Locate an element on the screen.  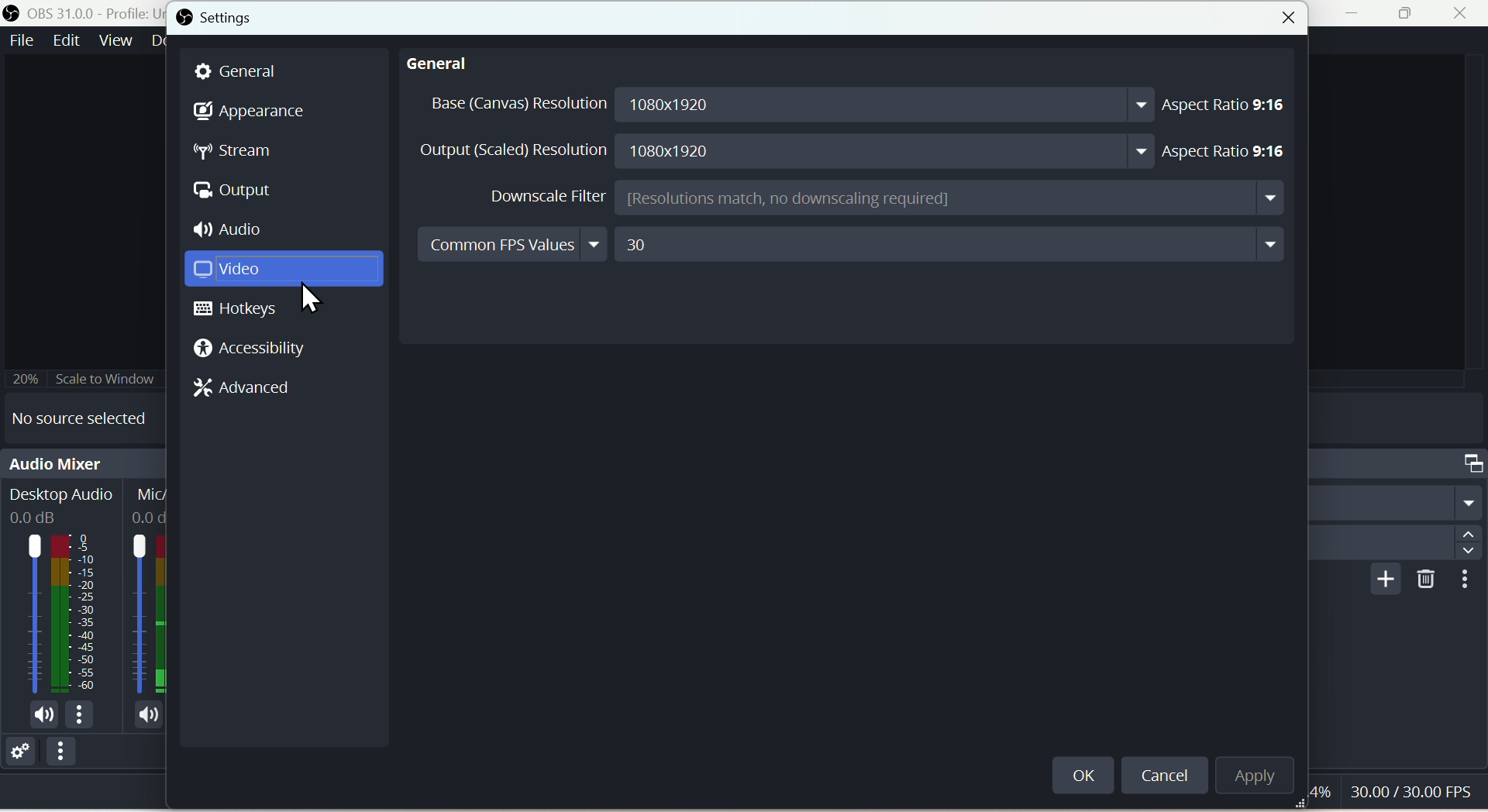
Downscale Filter is located at coordinates (884, 198).